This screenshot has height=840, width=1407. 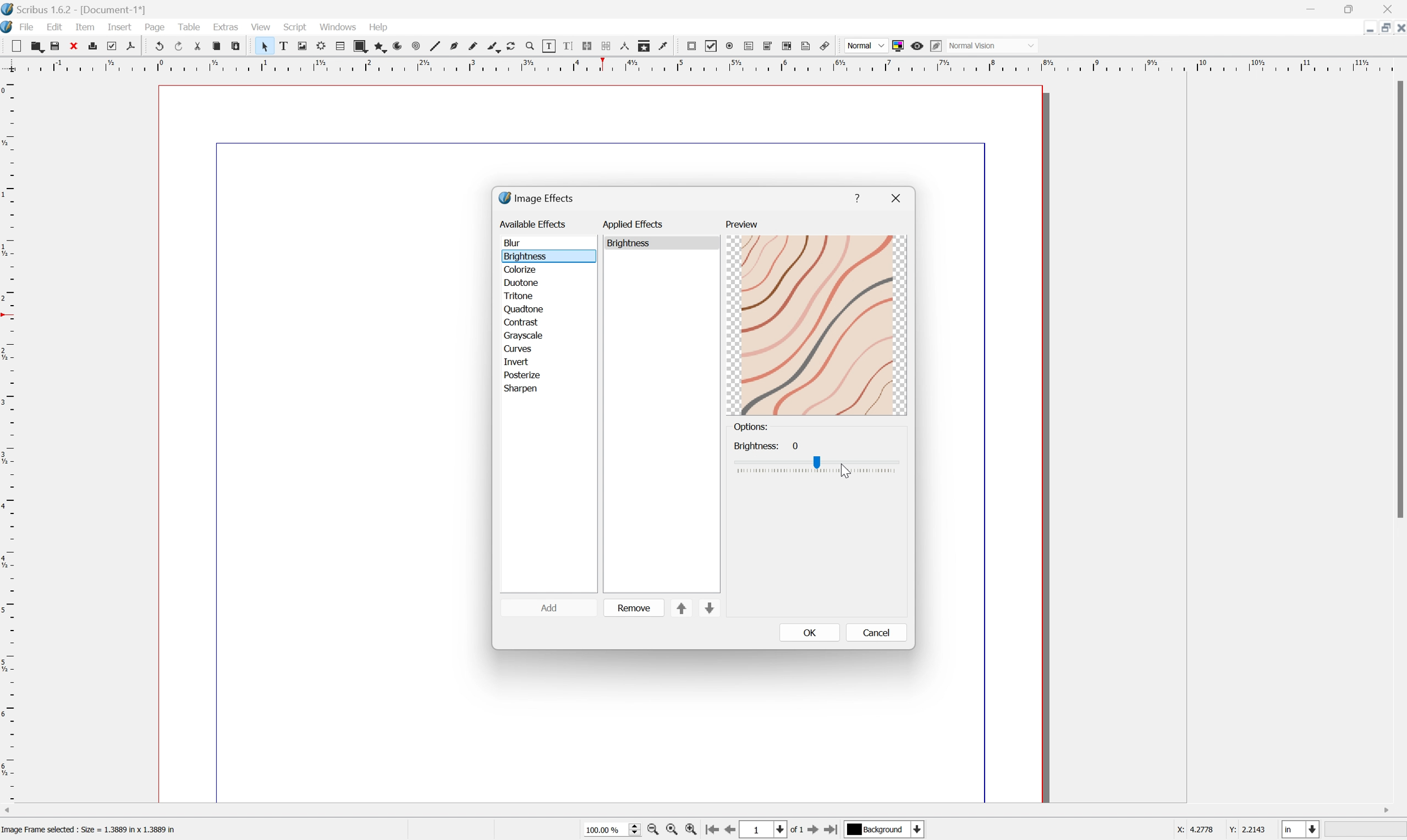 I want to click on blur, so click(x=515, y=241).